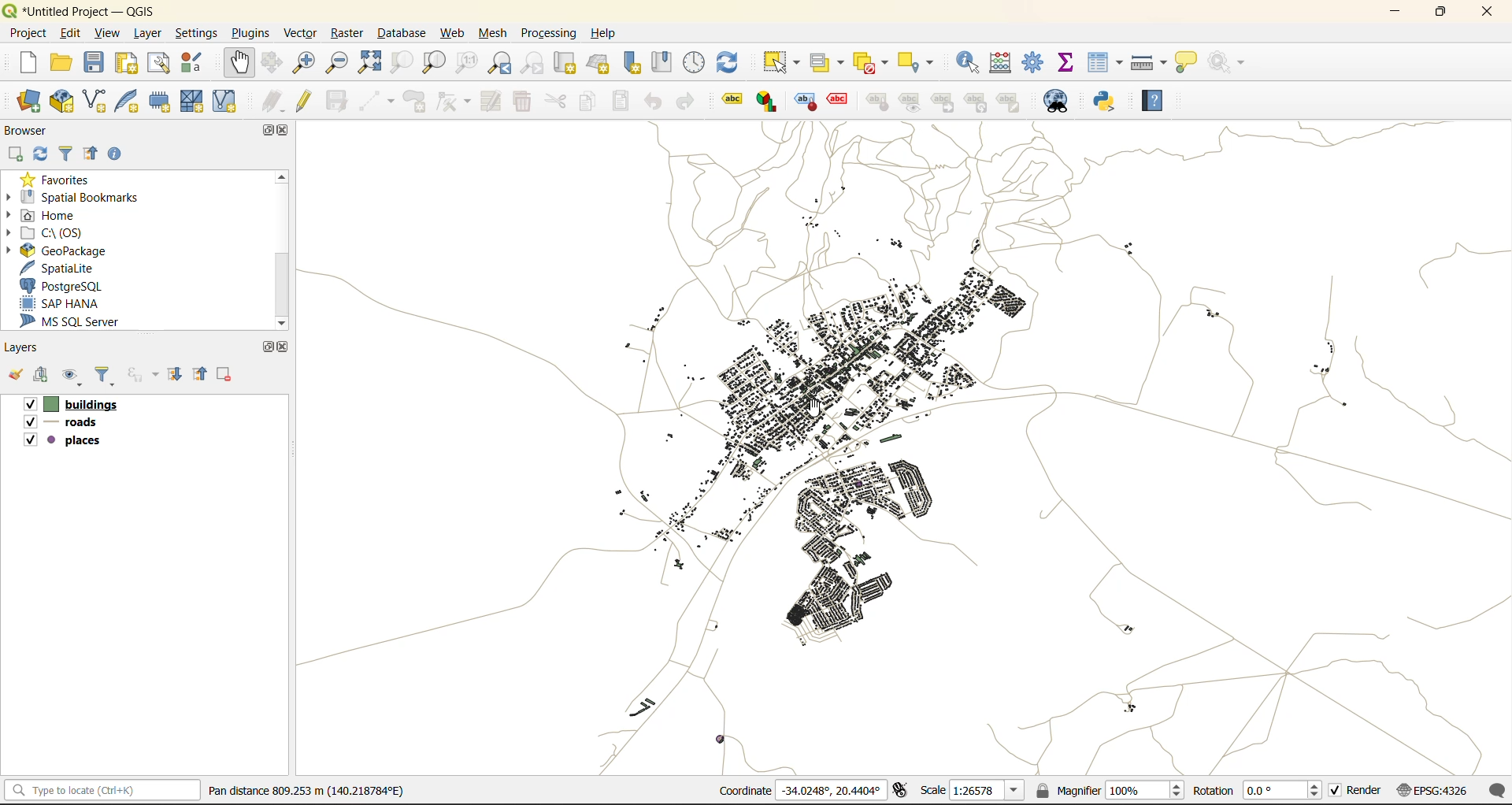 This screenshot has height=805, width=1512. Describe the element at coordinates (65, 265) in the screenshot. I see `spatialite` at that location.